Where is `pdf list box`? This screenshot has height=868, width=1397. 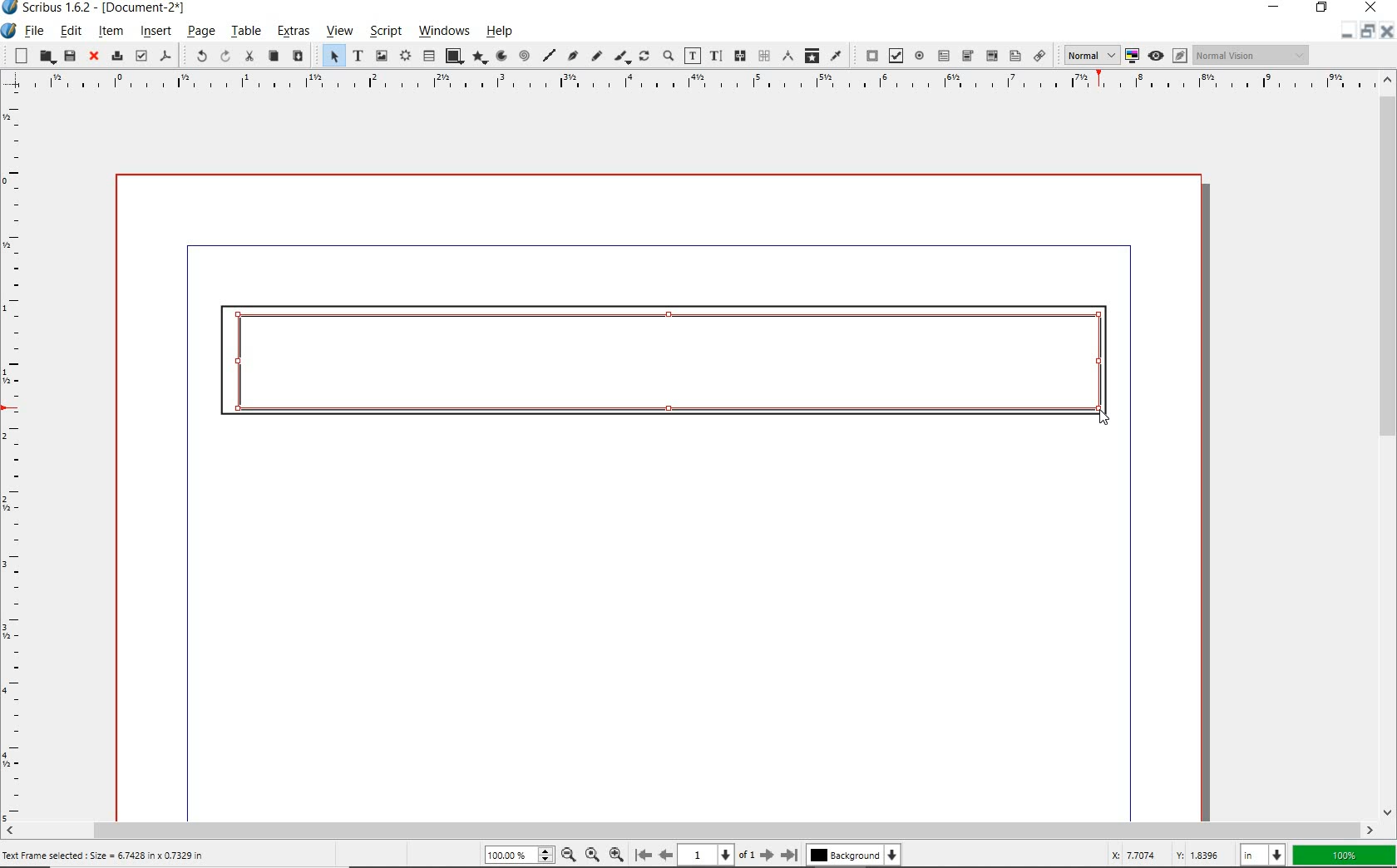 pdf list box is located at coordinates (1014, 55).